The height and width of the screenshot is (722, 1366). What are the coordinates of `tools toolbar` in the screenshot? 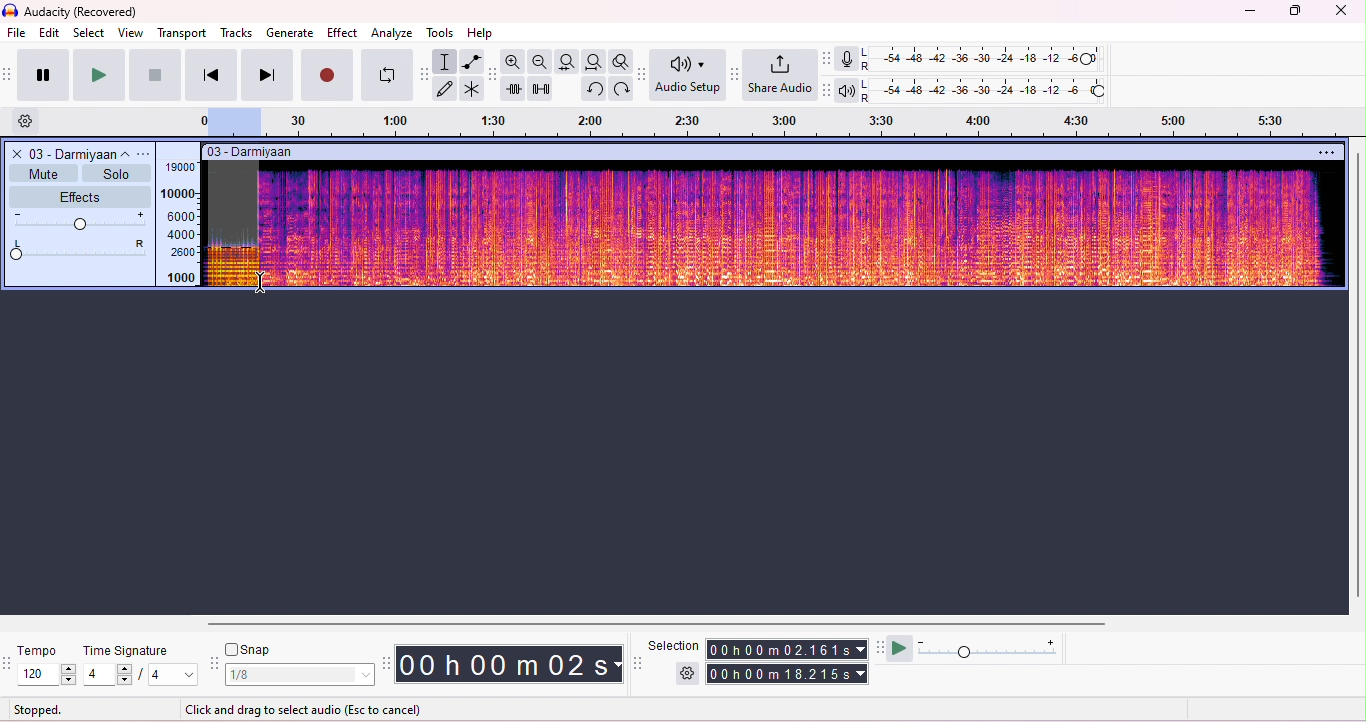 It's located at (424, 75).